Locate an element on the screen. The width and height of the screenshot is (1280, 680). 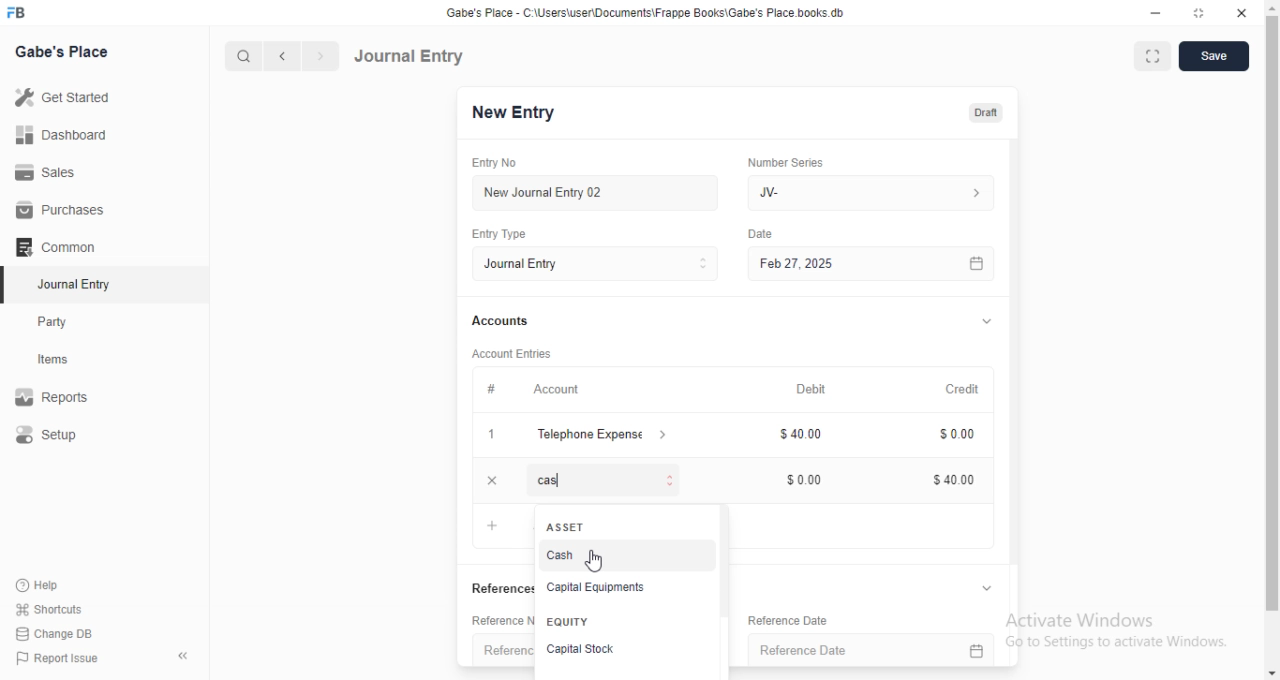
Add is located at coordinates (490, 525).